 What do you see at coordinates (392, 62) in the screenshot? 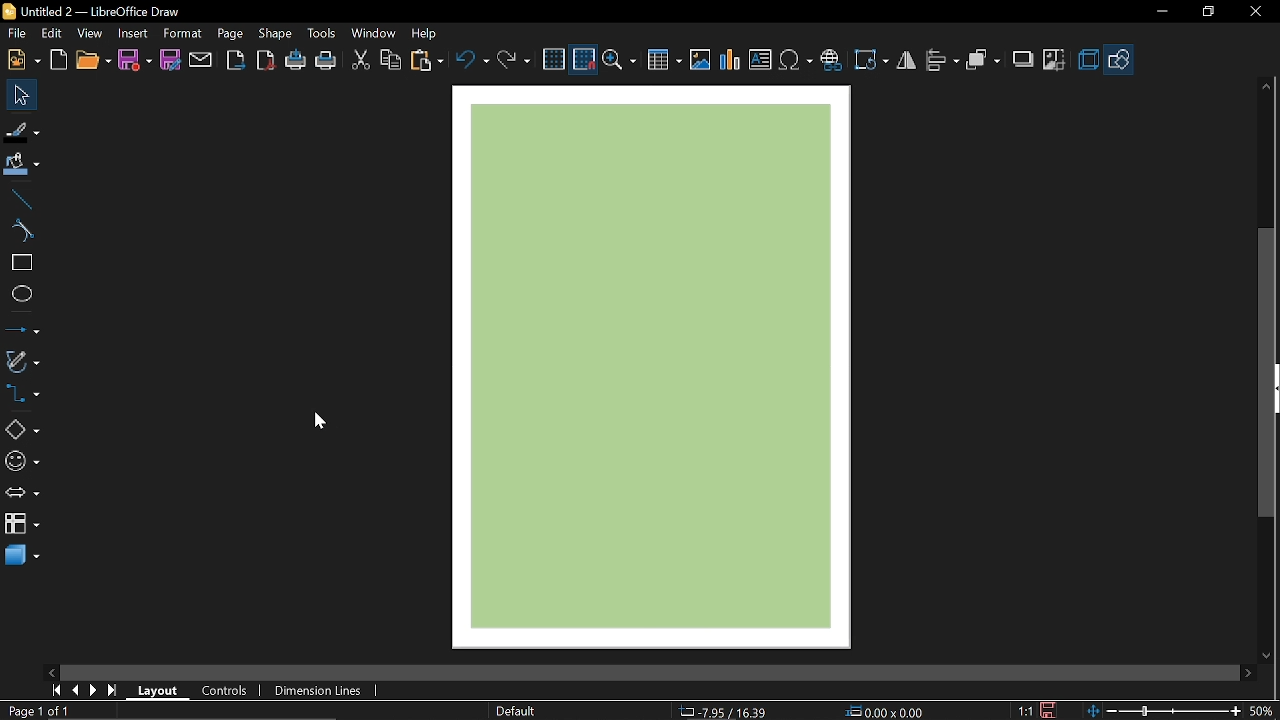
I see `Copy` at bounding box center [392, 62].